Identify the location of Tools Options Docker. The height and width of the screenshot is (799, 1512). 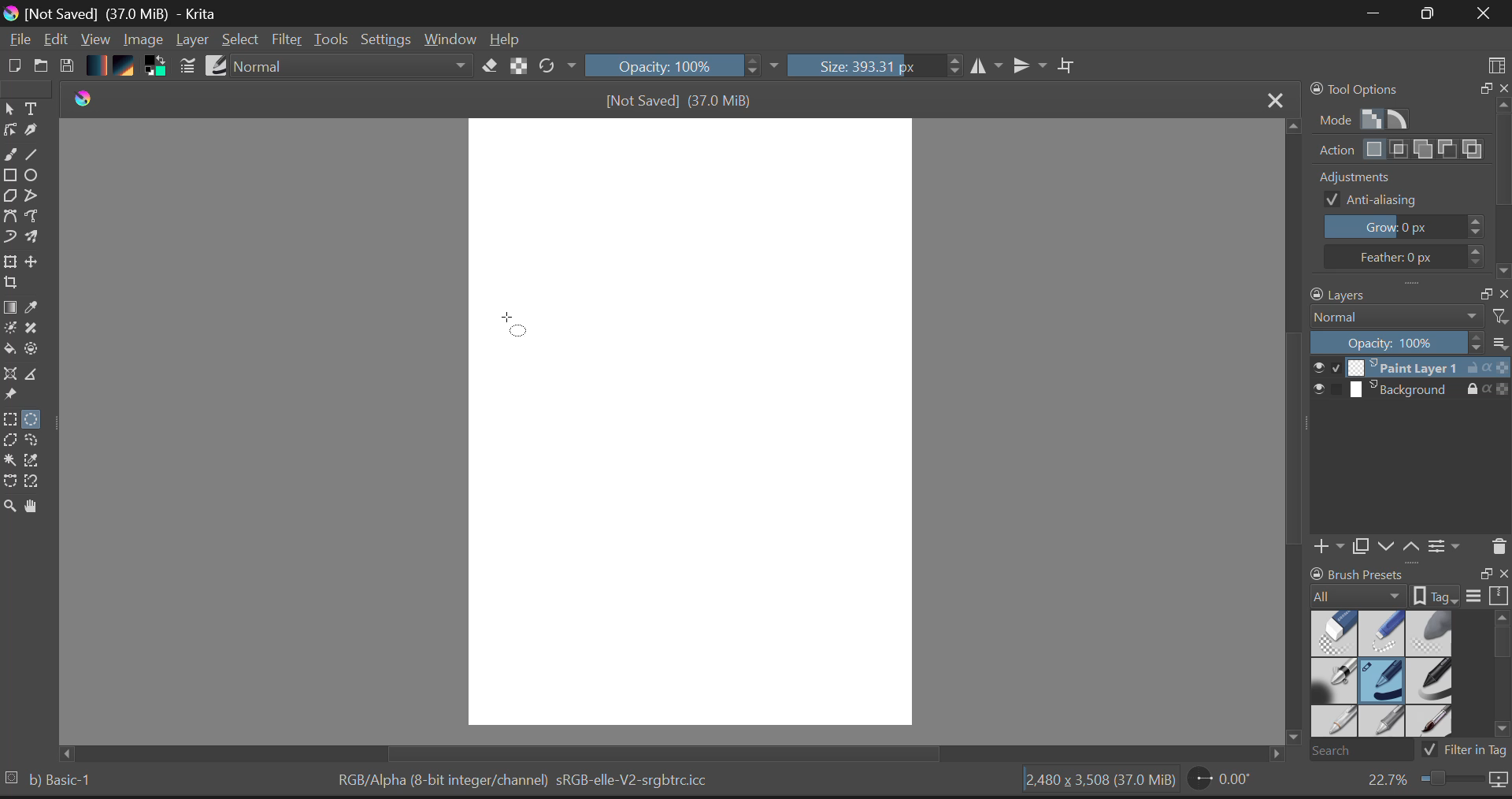
(1408, 179).